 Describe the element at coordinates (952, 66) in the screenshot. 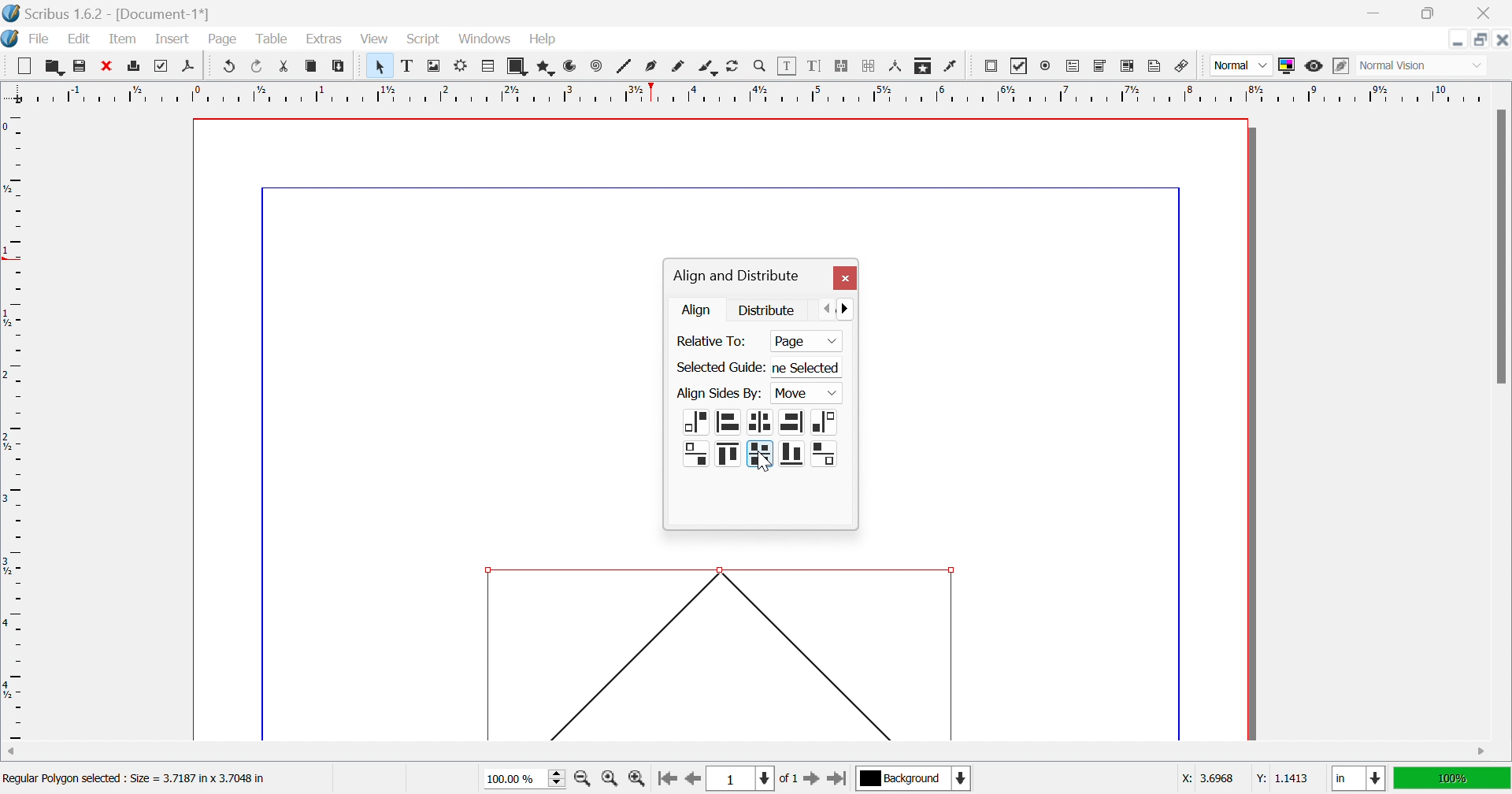

I see `Eye dropper` at that location.